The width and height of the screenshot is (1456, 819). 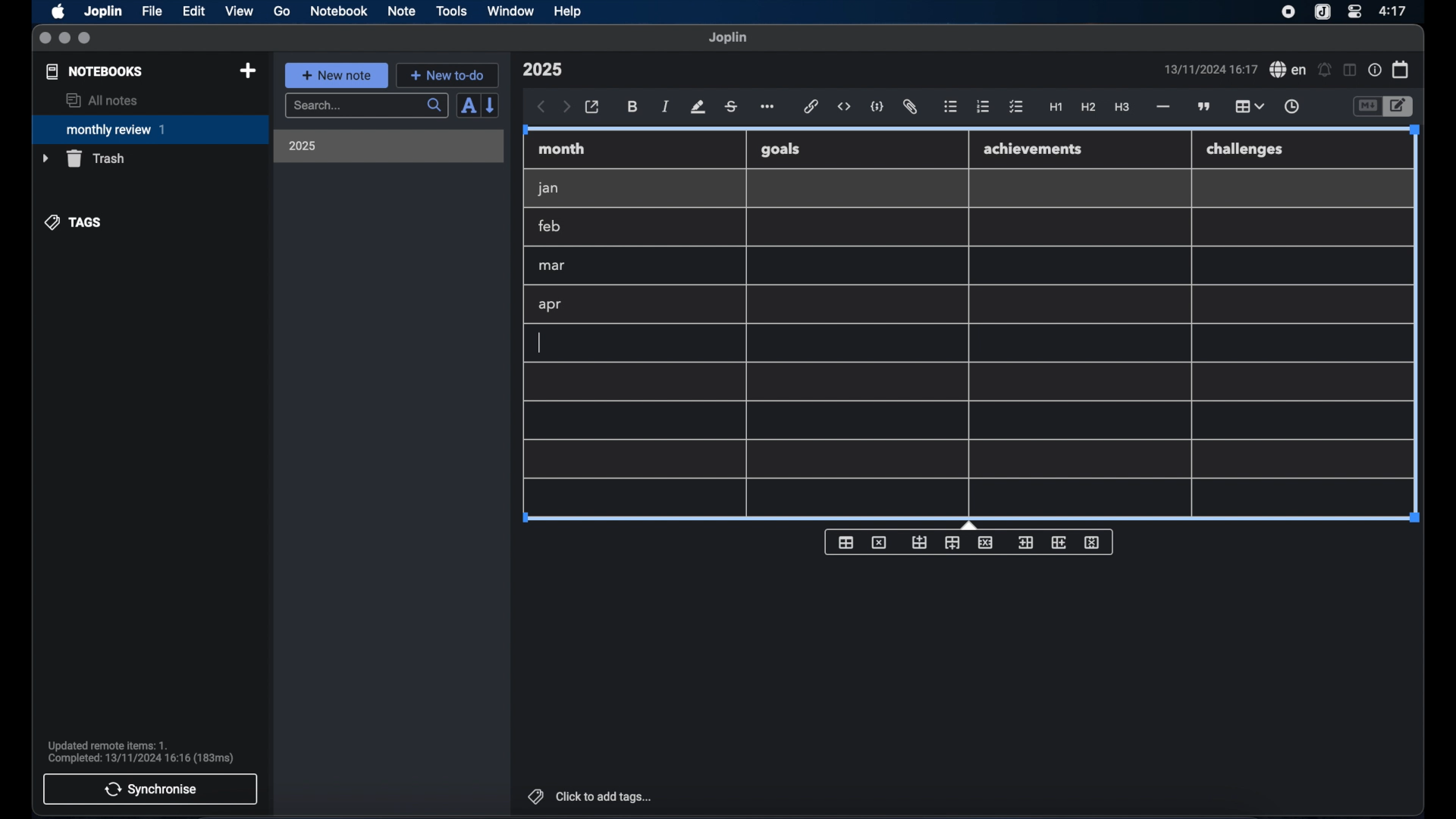 What do you see at coordinates (551, 305) in the screenshot?
I see `apr` at bounding box center [551, 305].